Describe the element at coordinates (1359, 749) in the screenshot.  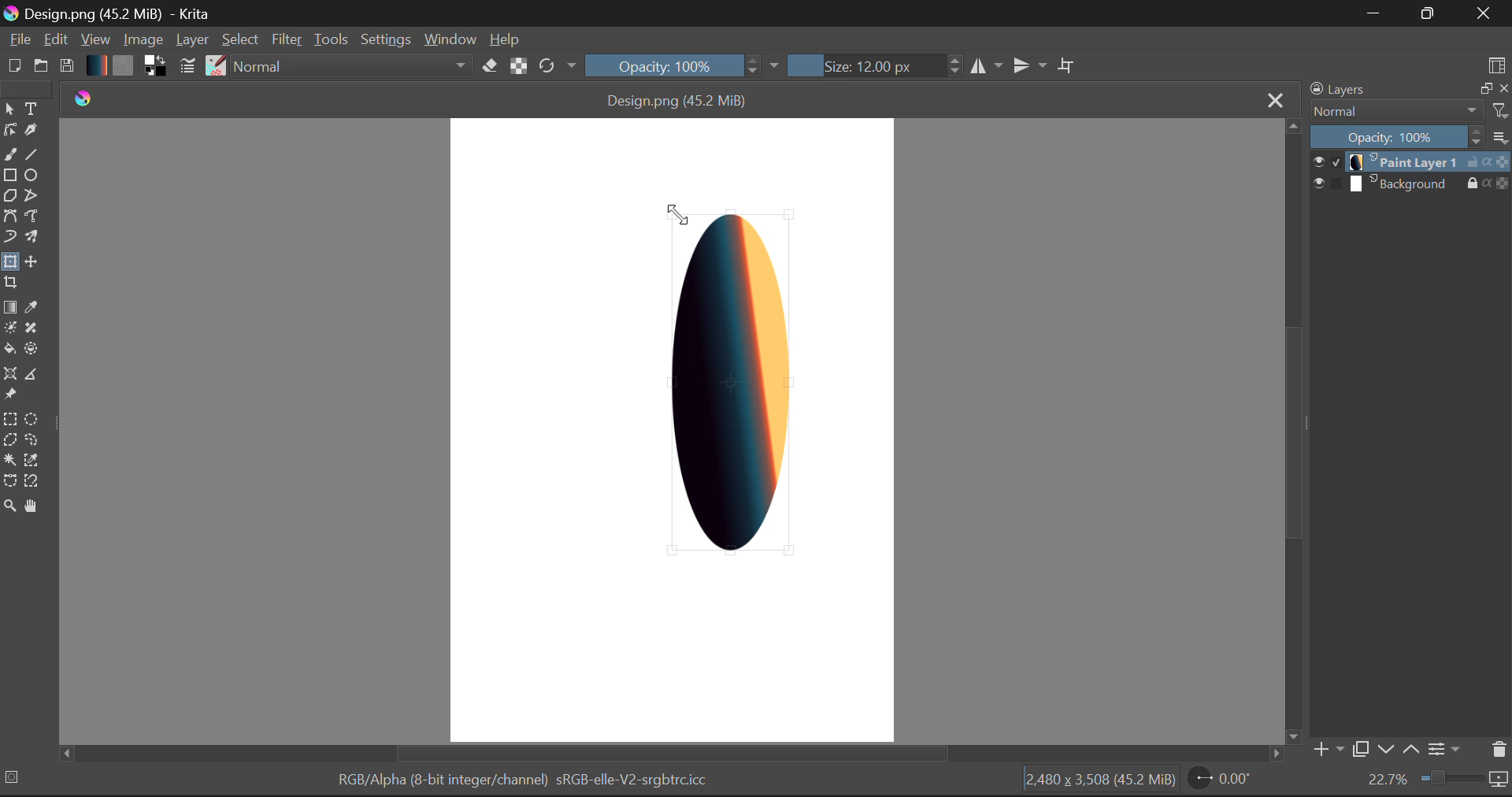
I see `Copy Layer` at that location.